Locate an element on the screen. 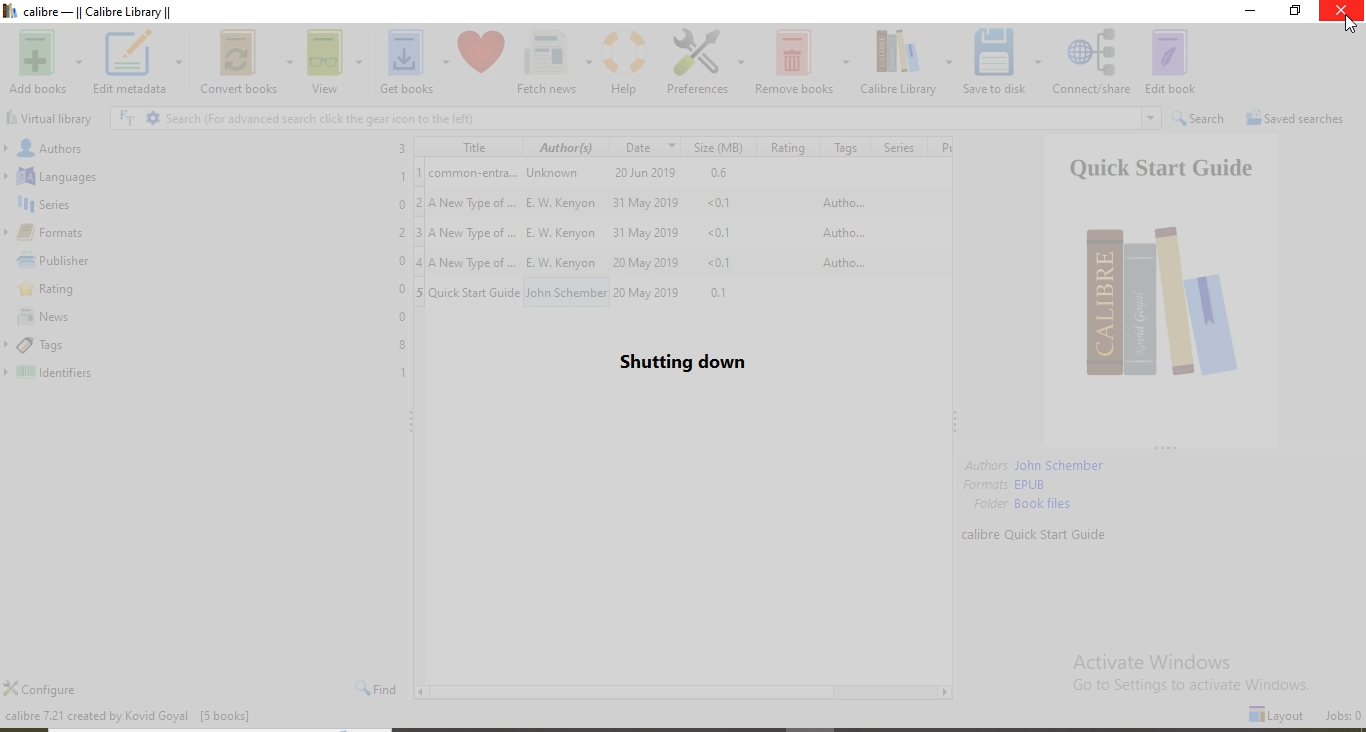 The height and width of the screenshot is (732, 1366). Cursor is located at coordinates (1351, 24).